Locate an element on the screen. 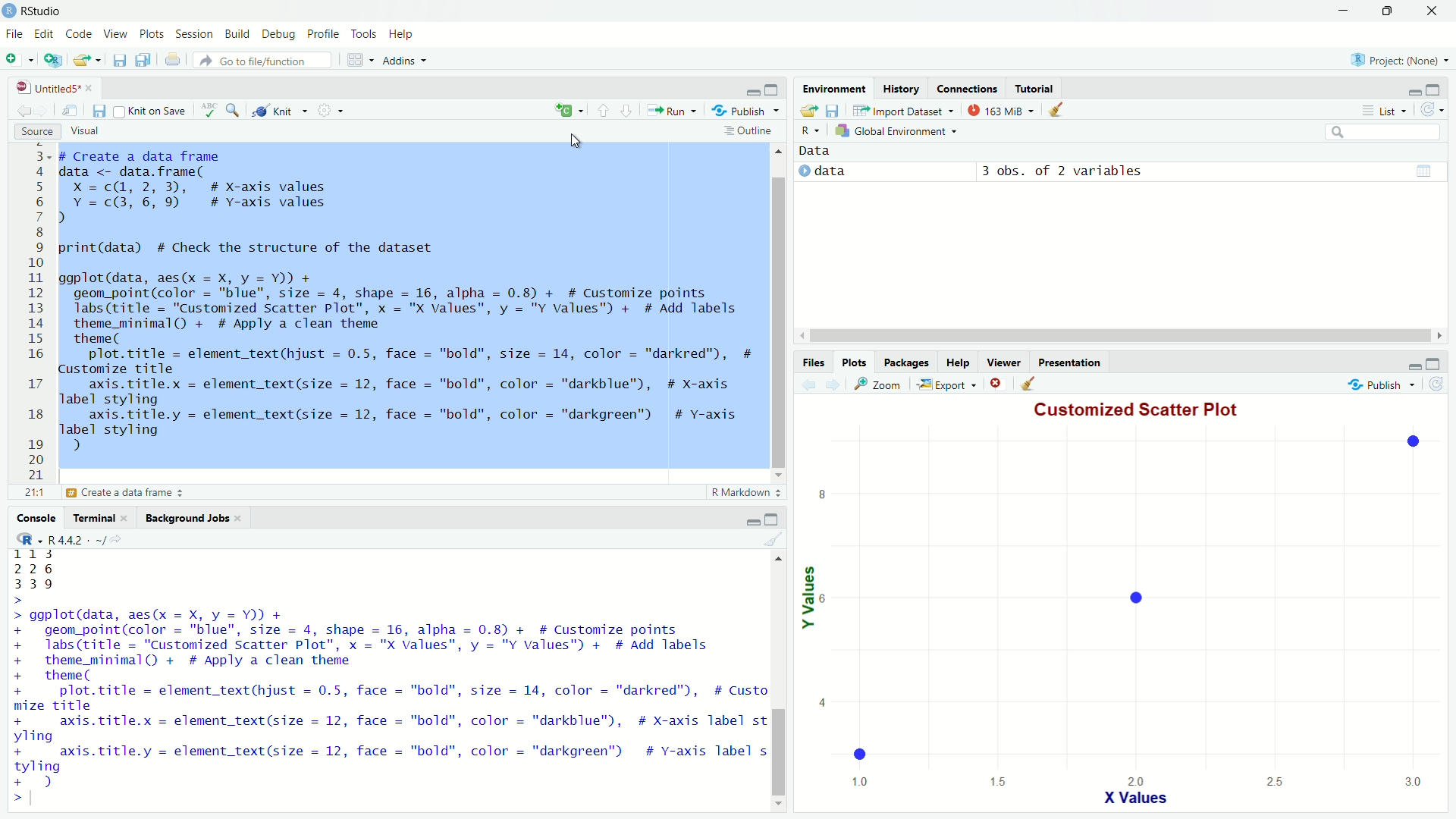 This screenshot has height=819, width=1456. Go forward to the next source location is located at coordinates (49, 112).